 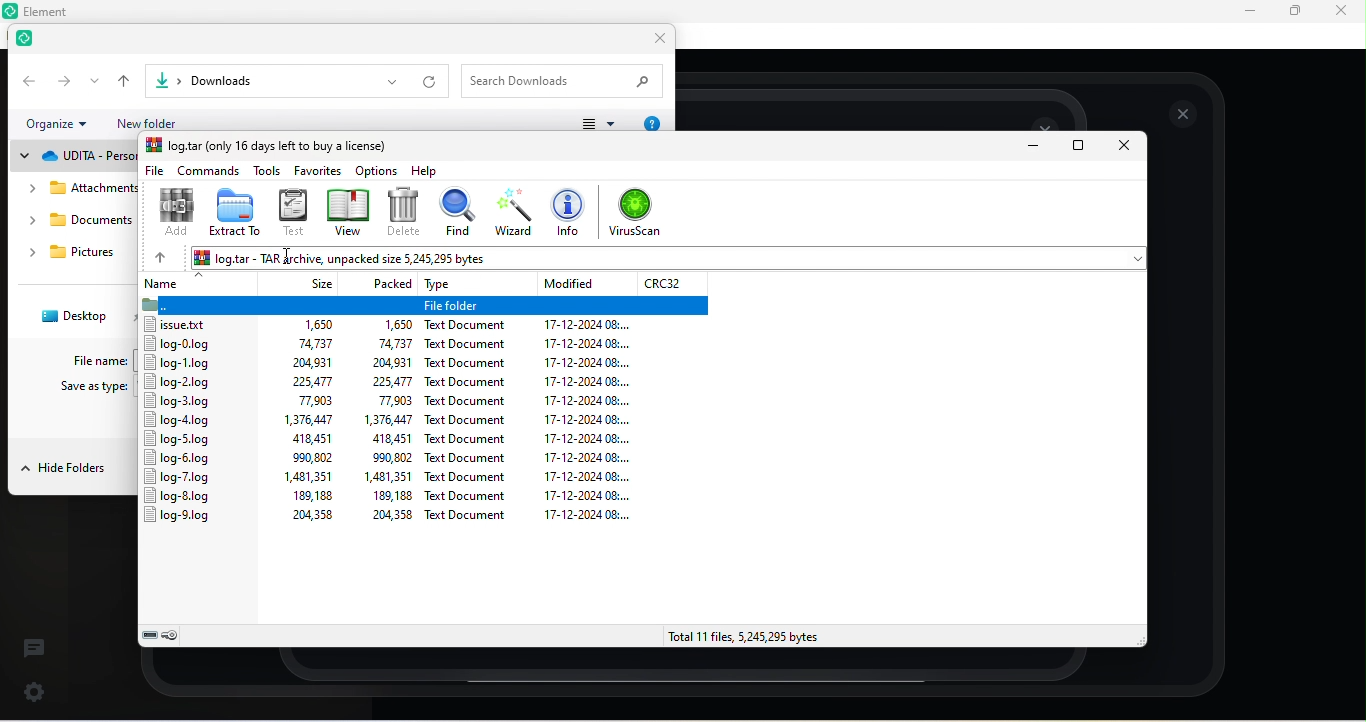 What do you see at coordinates (654, 41) in the screenshot?
I see `close` at bounding box center [654, 41].